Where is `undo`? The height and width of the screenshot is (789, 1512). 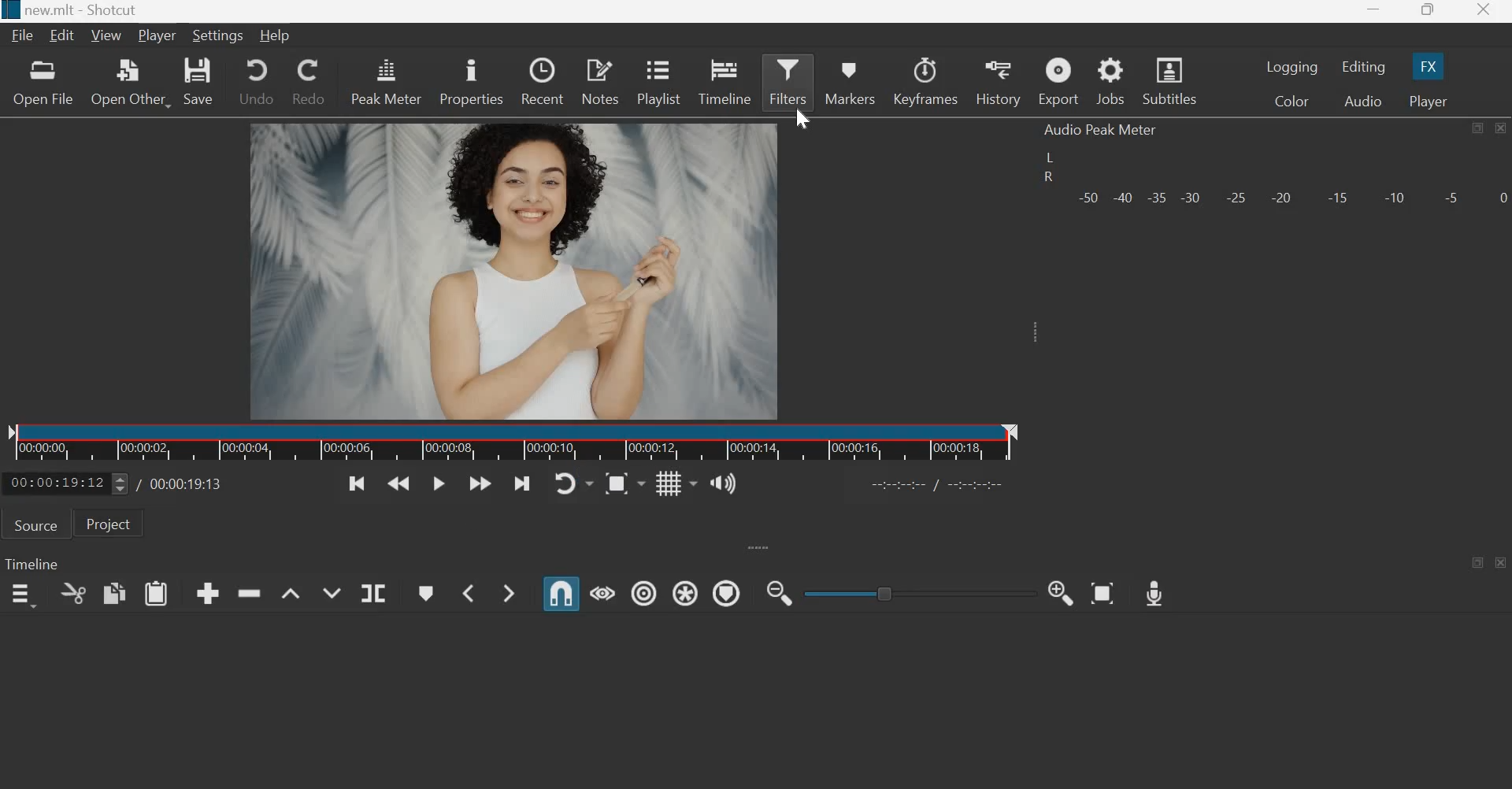 undo is located at coordinates (256, 80).